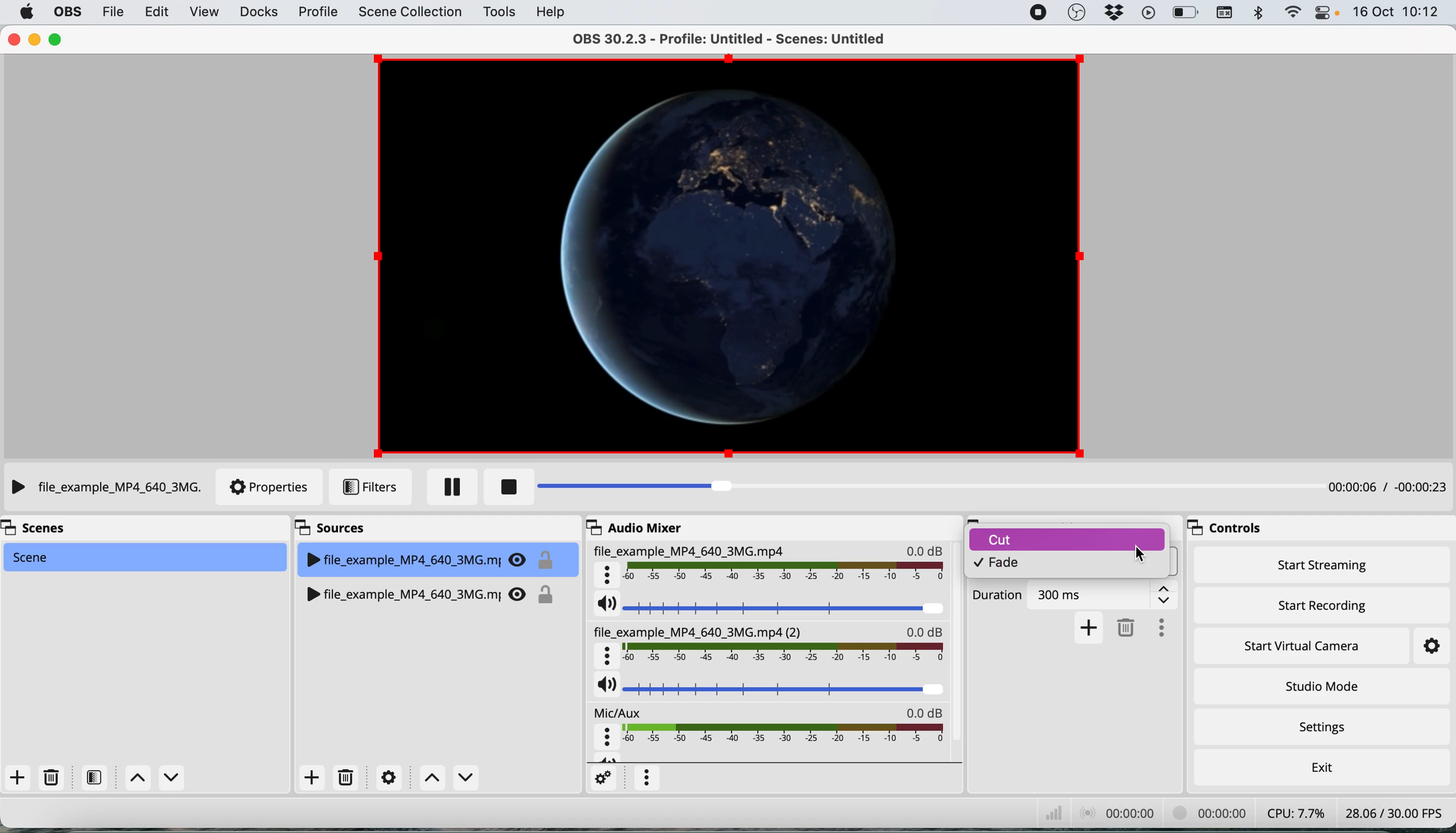  Describe the element at coordinates (368, 489) in the screenshot. I see `filters` at that location.